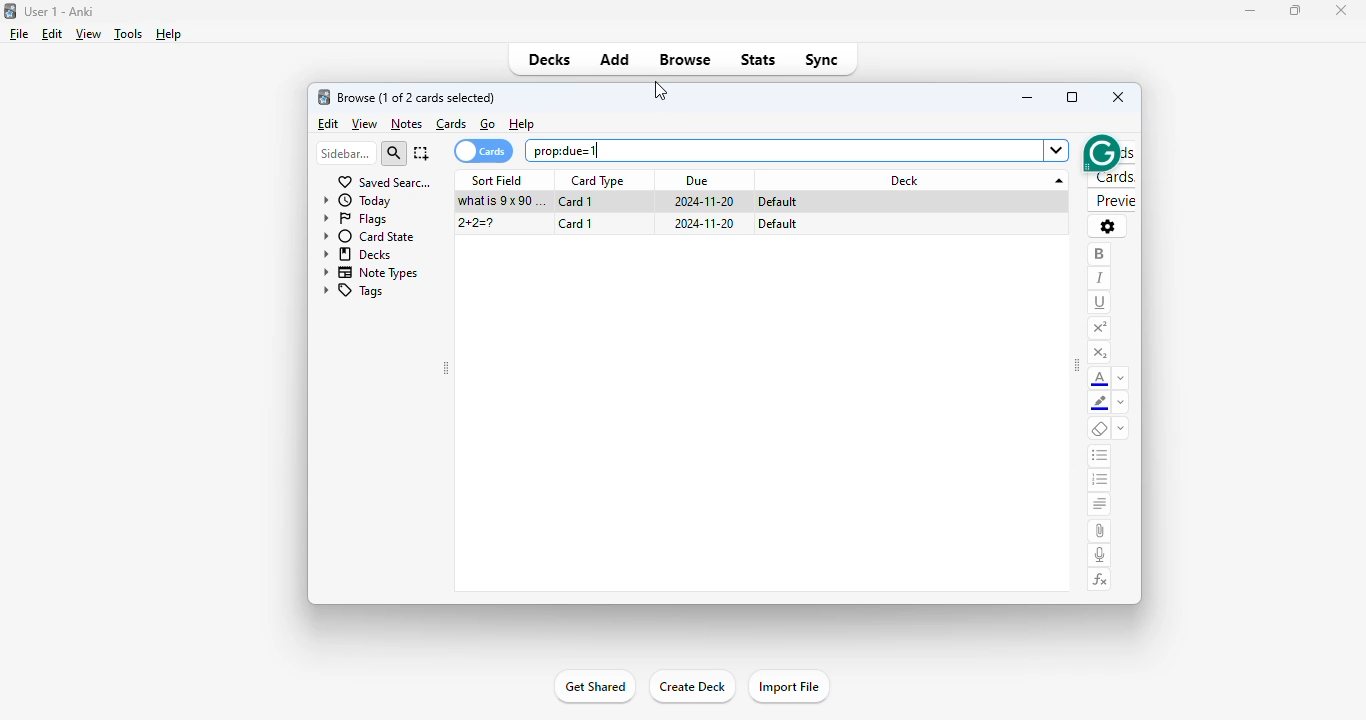 The image size is (1366, 720). Describe the element at coordinates (1100, 555) in the screenshot. I see `record audio` at that location.